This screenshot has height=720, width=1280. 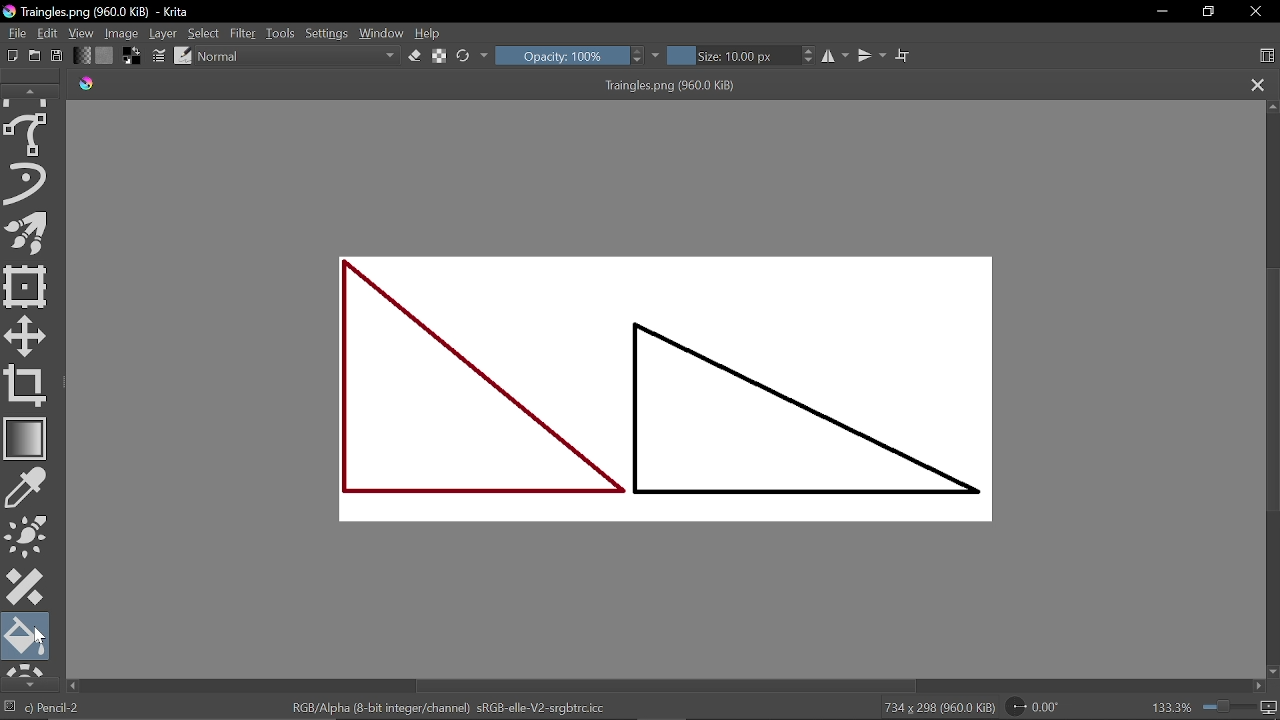 What do you see at coordinates (26, 587) in the screenshot?
I see `Smart patch tool` at bounding box center [26, 587].